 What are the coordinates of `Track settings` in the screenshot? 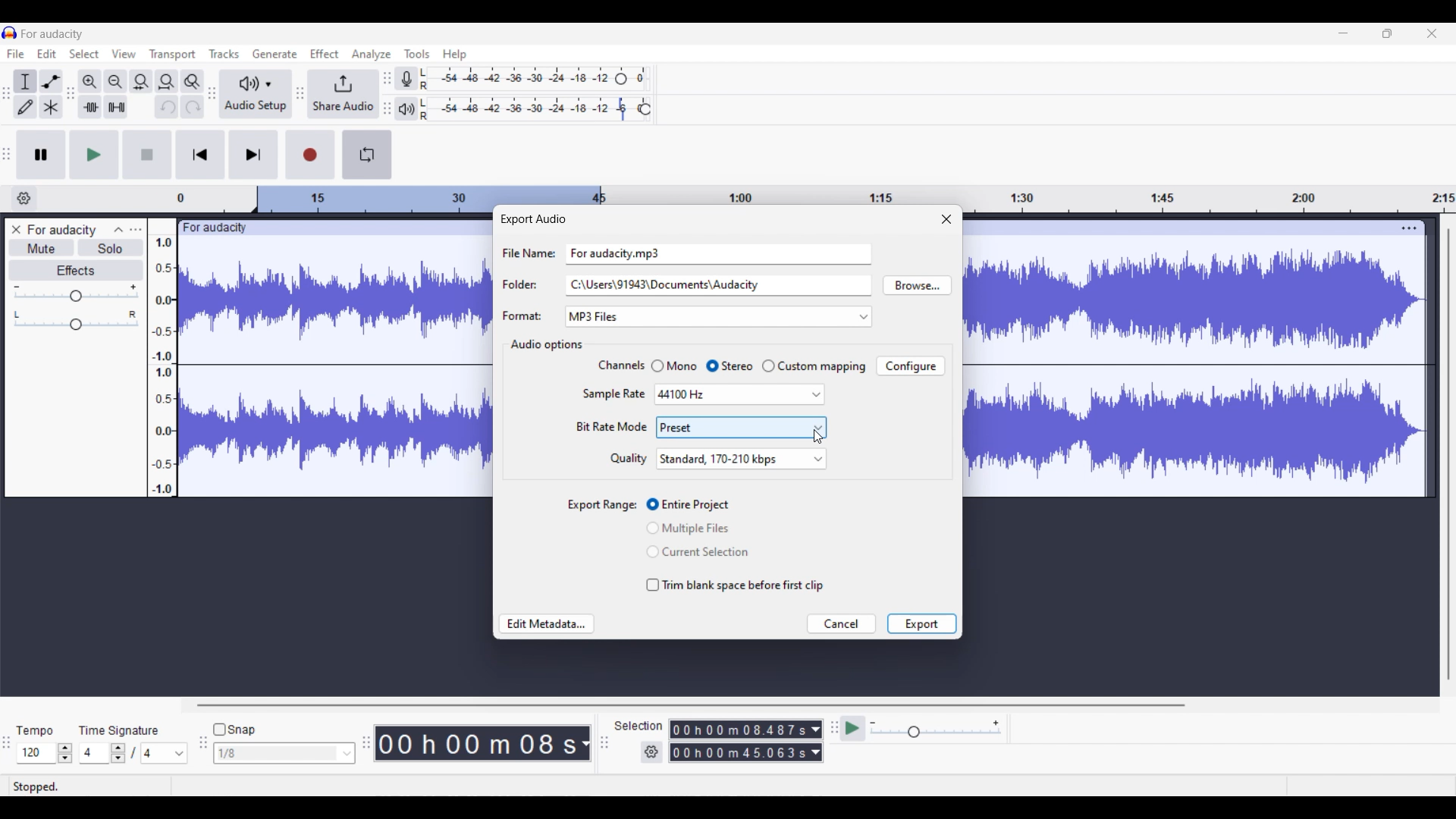 It's located at (1409, 227).